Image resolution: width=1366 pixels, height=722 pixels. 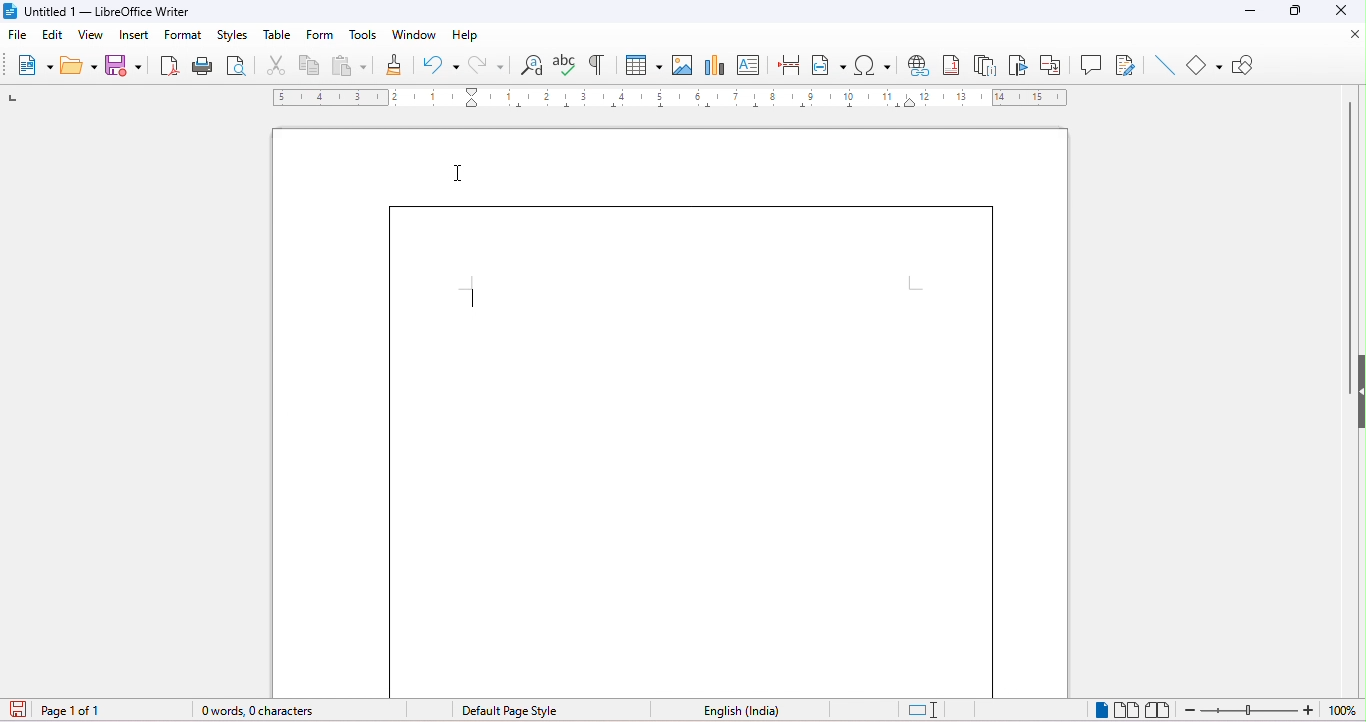 What do you see at coordinates (1204, 65) in the screenshot?
I see `shape` at bounding box center [1204, 65].